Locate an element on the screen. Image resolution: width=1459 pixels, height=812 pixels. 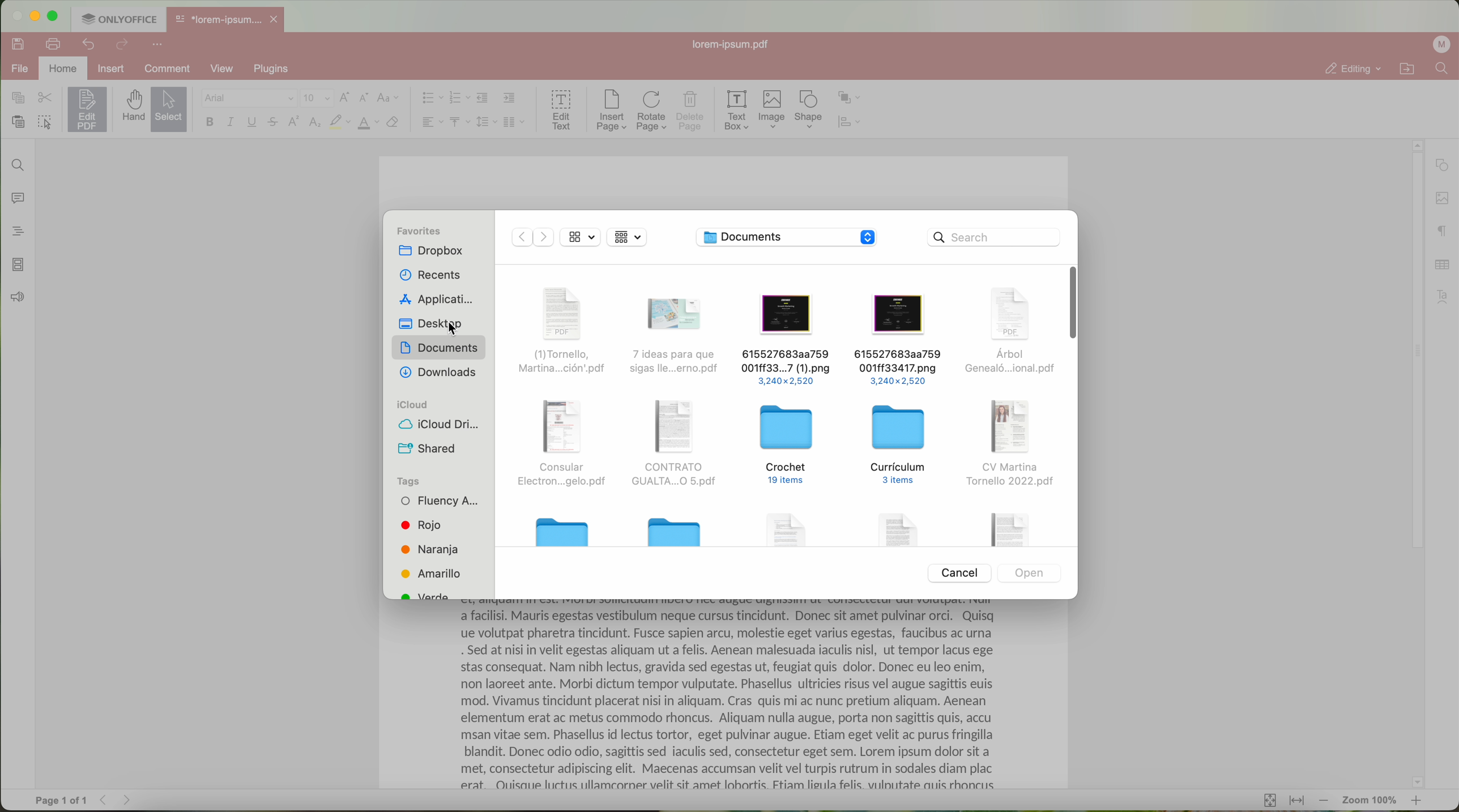
*lorem-ipsum.... is located at coordinates (217, 17).